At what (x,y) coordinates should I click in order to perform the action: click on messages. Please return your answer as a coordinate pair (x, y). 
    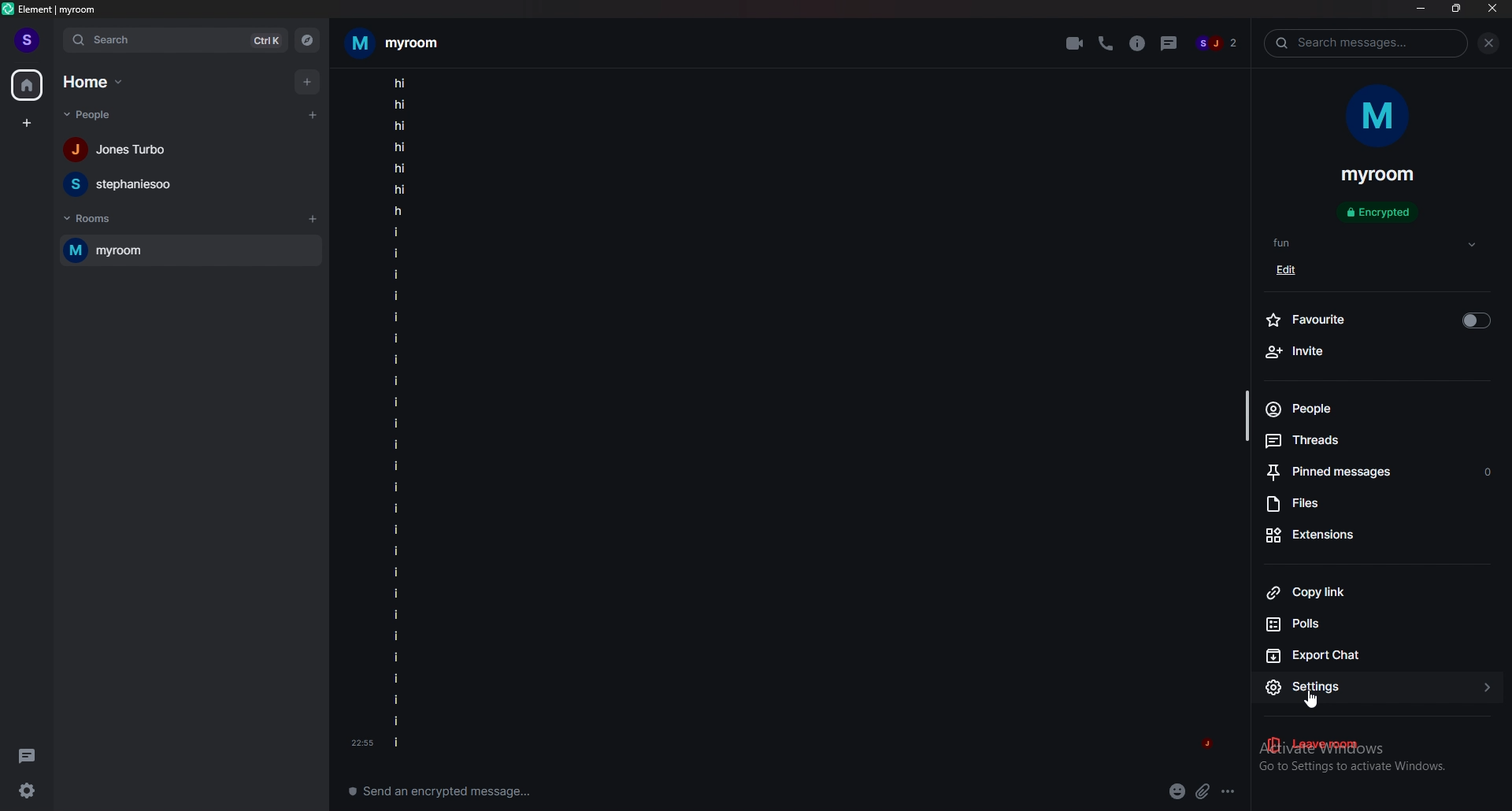
    Looking at the image, I should click on (398, 416).